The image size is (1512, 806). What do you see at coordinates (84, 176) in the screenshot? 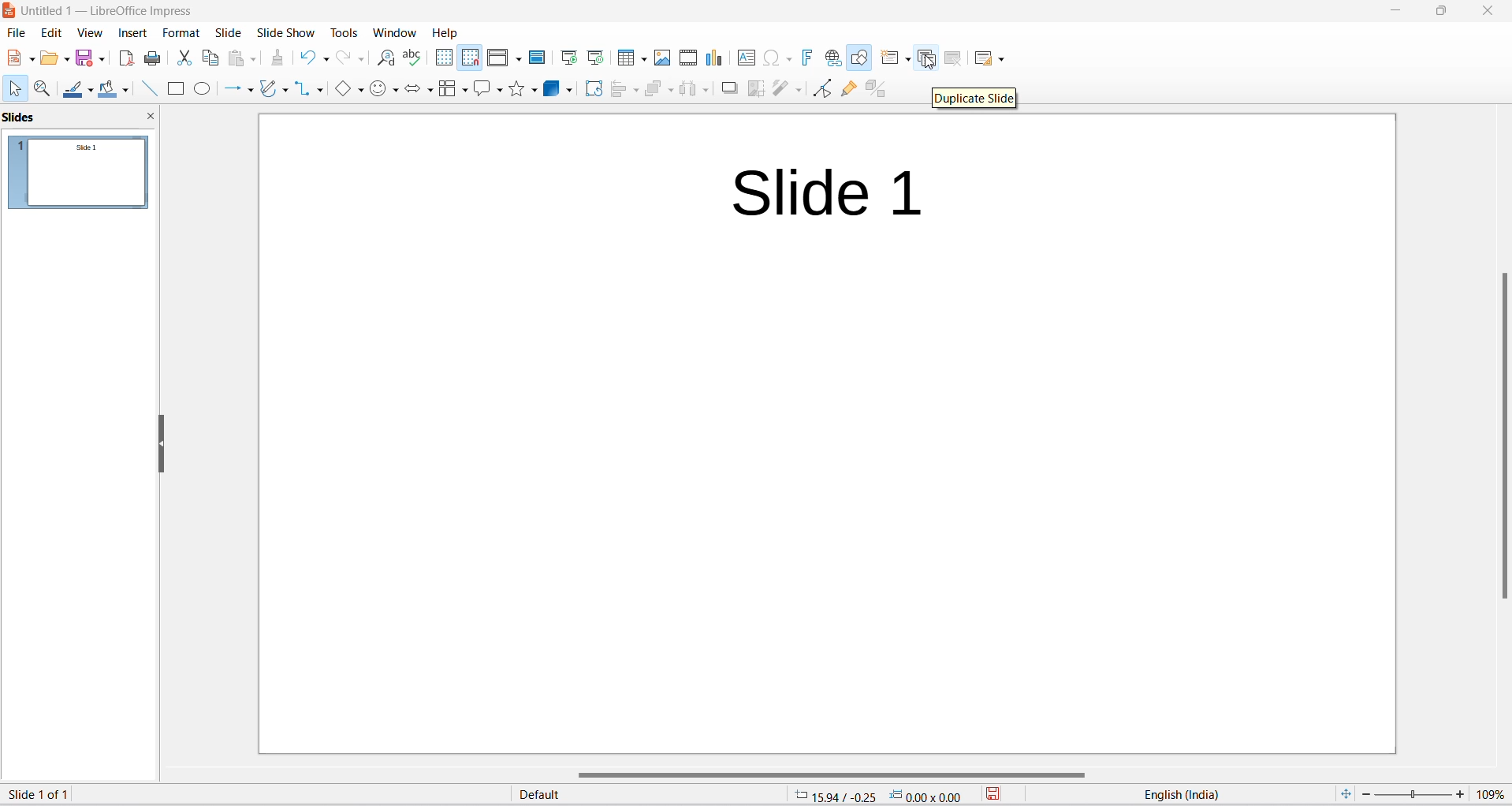
I see `Slide preview` at bounding box center [84, 176].